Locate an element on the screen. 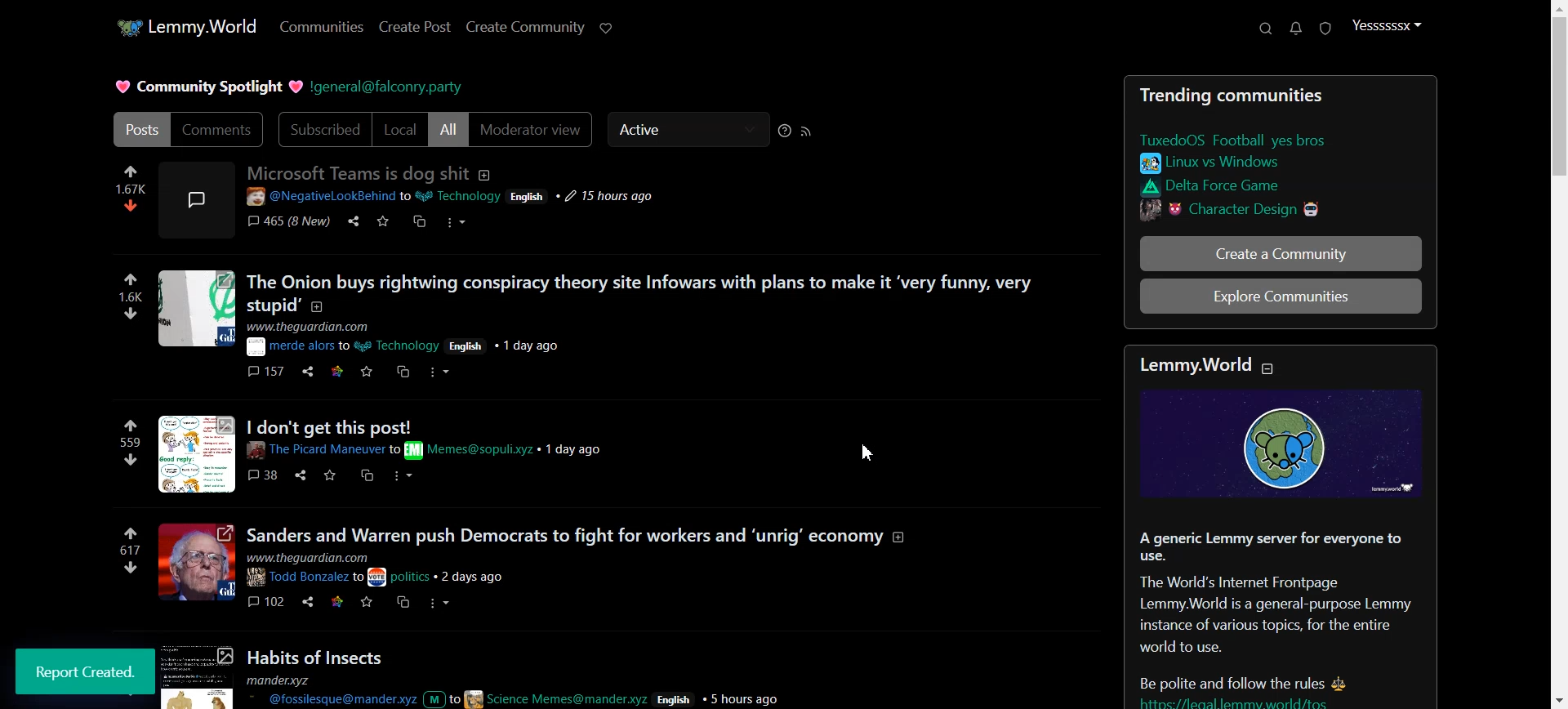 The width and height of the screenshot is (1568, 709). numbers is located at coordinates (131, 297).